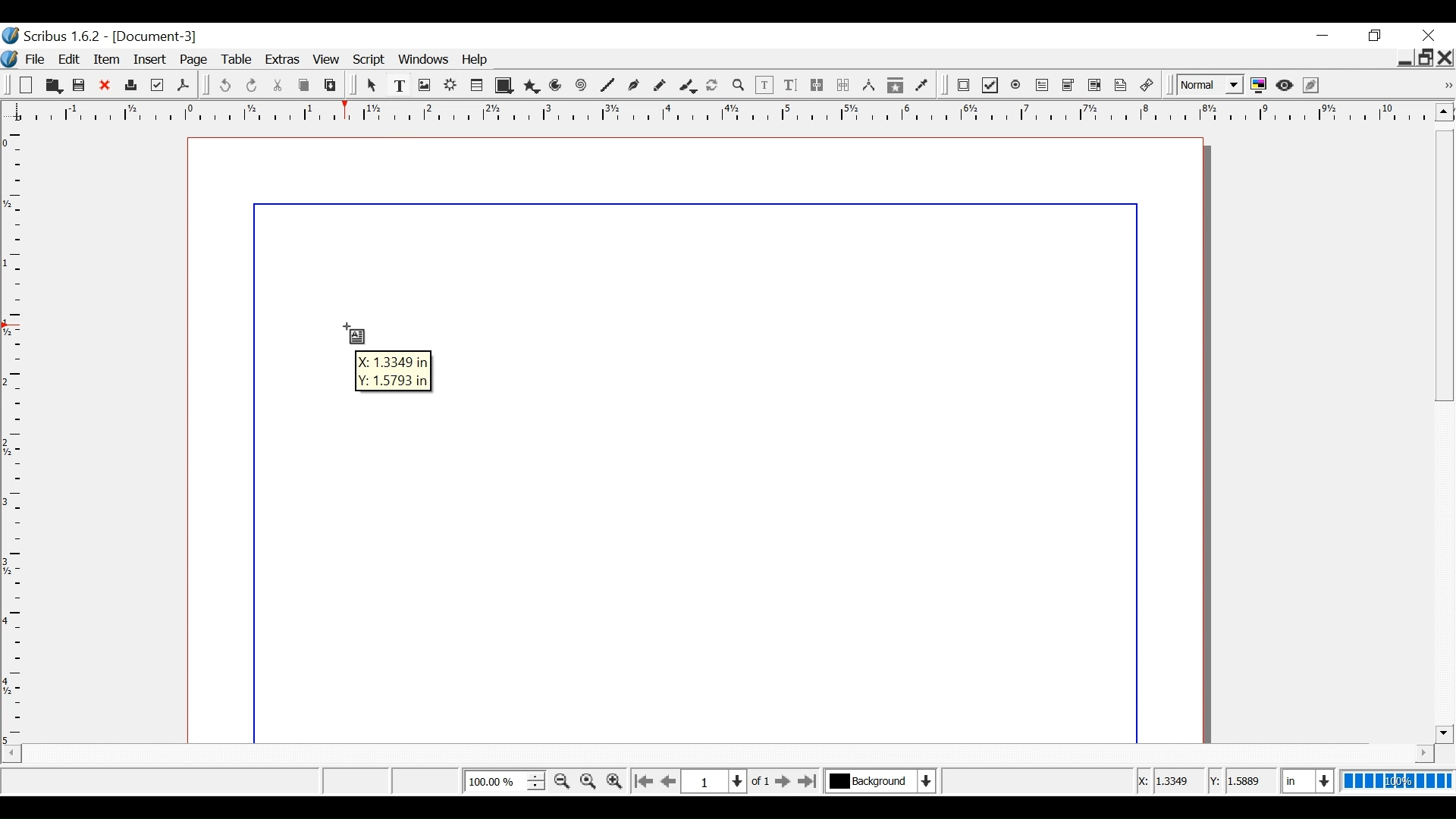  What do you see at coordinates (1305, 780) in the screenshot?
I see `Select the current unit` at bounding box center [1305, 780].